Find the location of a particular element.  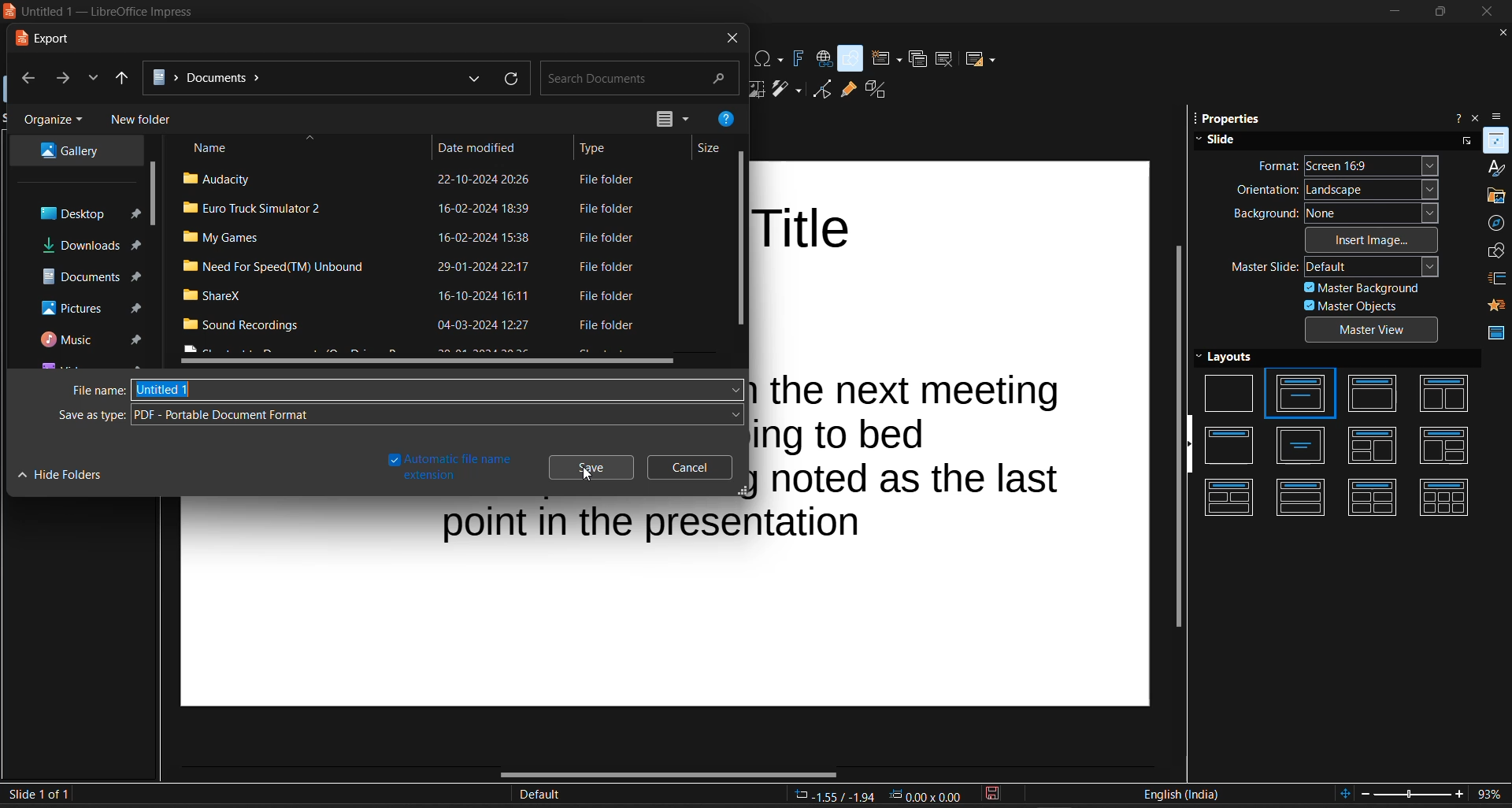

close sidebar deck is located at coordinates (1479, 117).